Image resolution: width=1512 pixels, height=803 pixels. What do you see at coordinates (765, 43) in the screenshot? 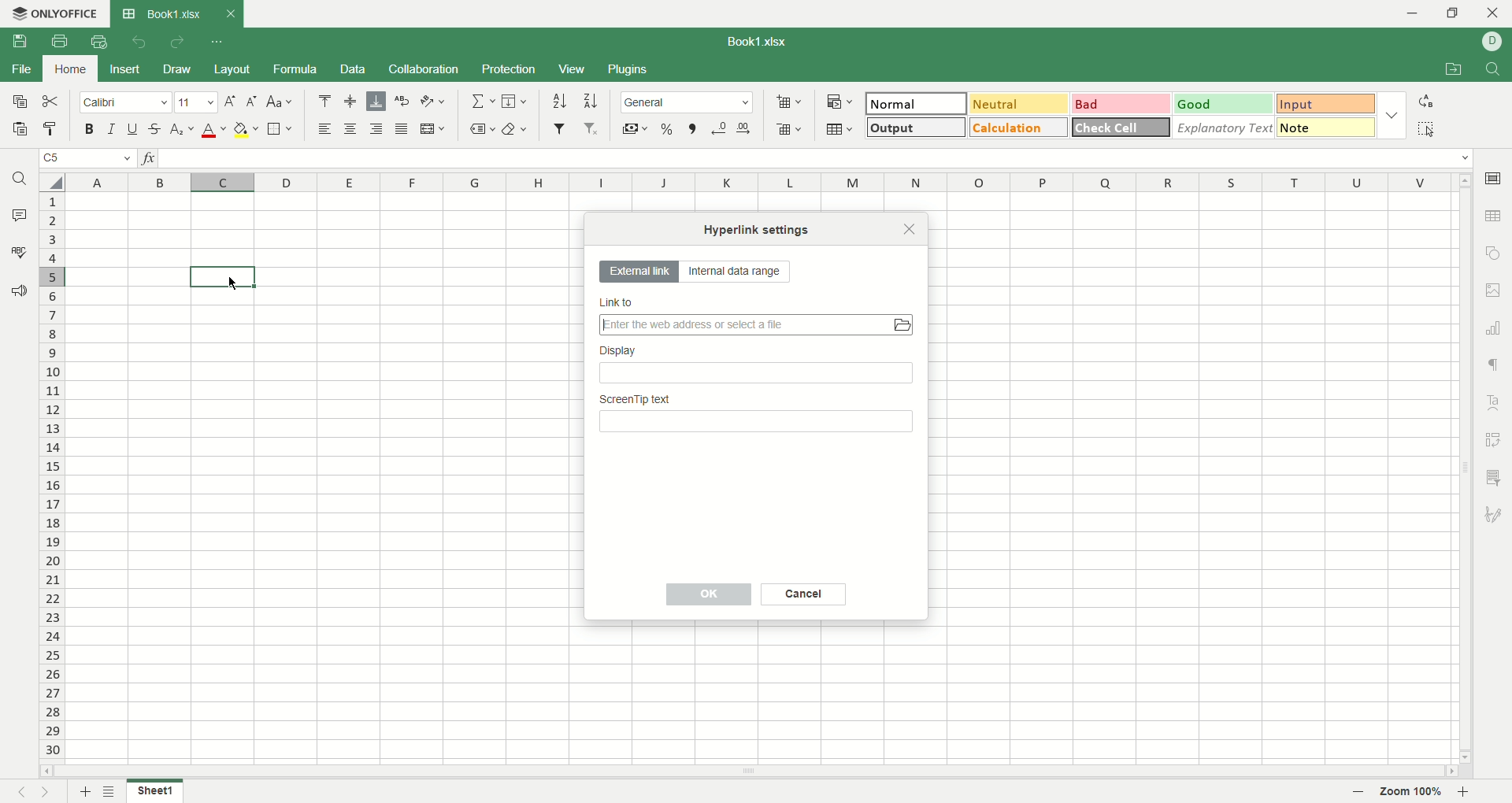
I see `Book1.xslx` at bounding box center [765, 43].